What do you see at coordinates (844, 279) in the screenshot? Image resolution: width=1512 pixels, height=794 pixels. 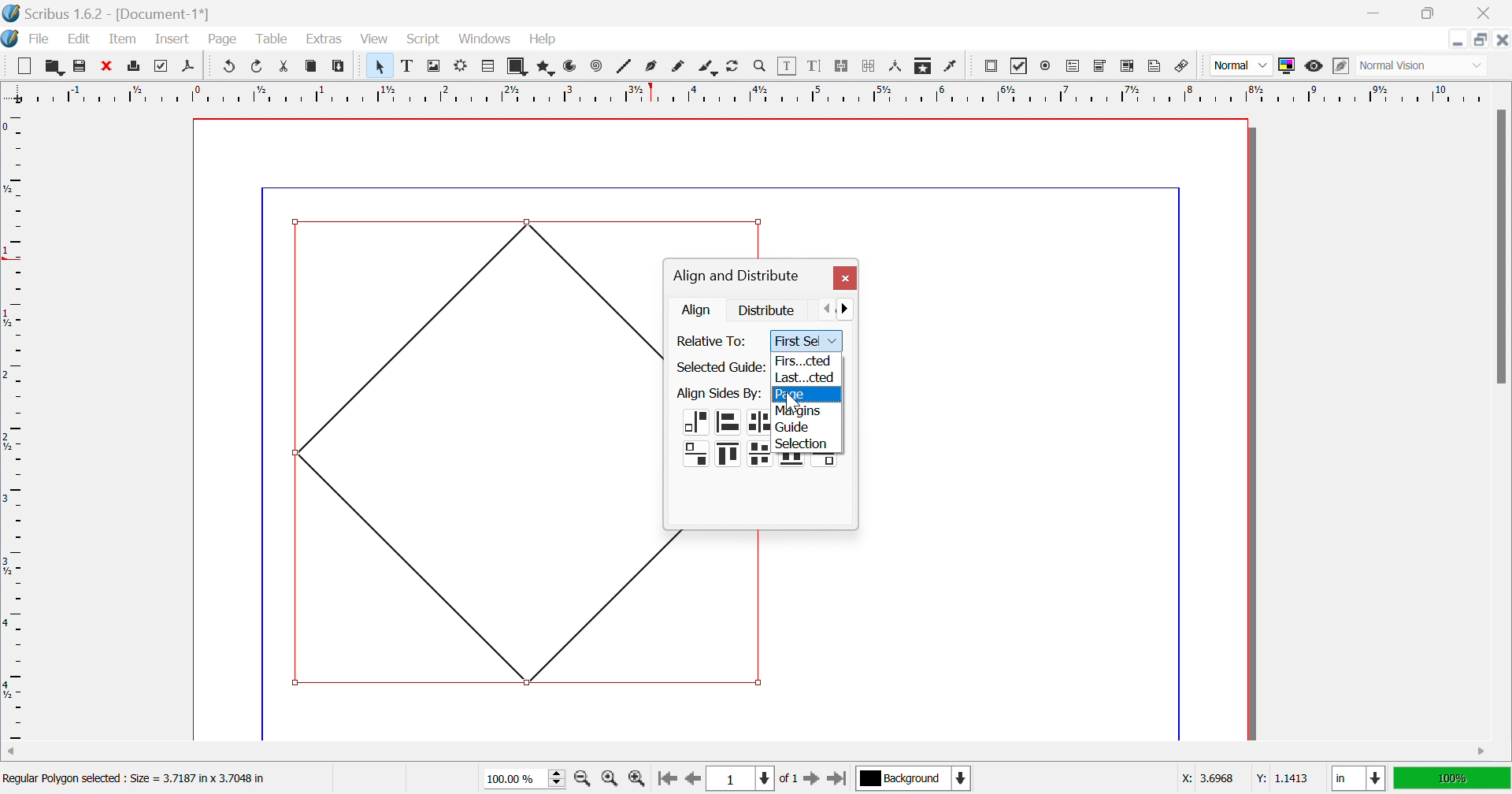 I see `Close` at bounding box center [844, 279].